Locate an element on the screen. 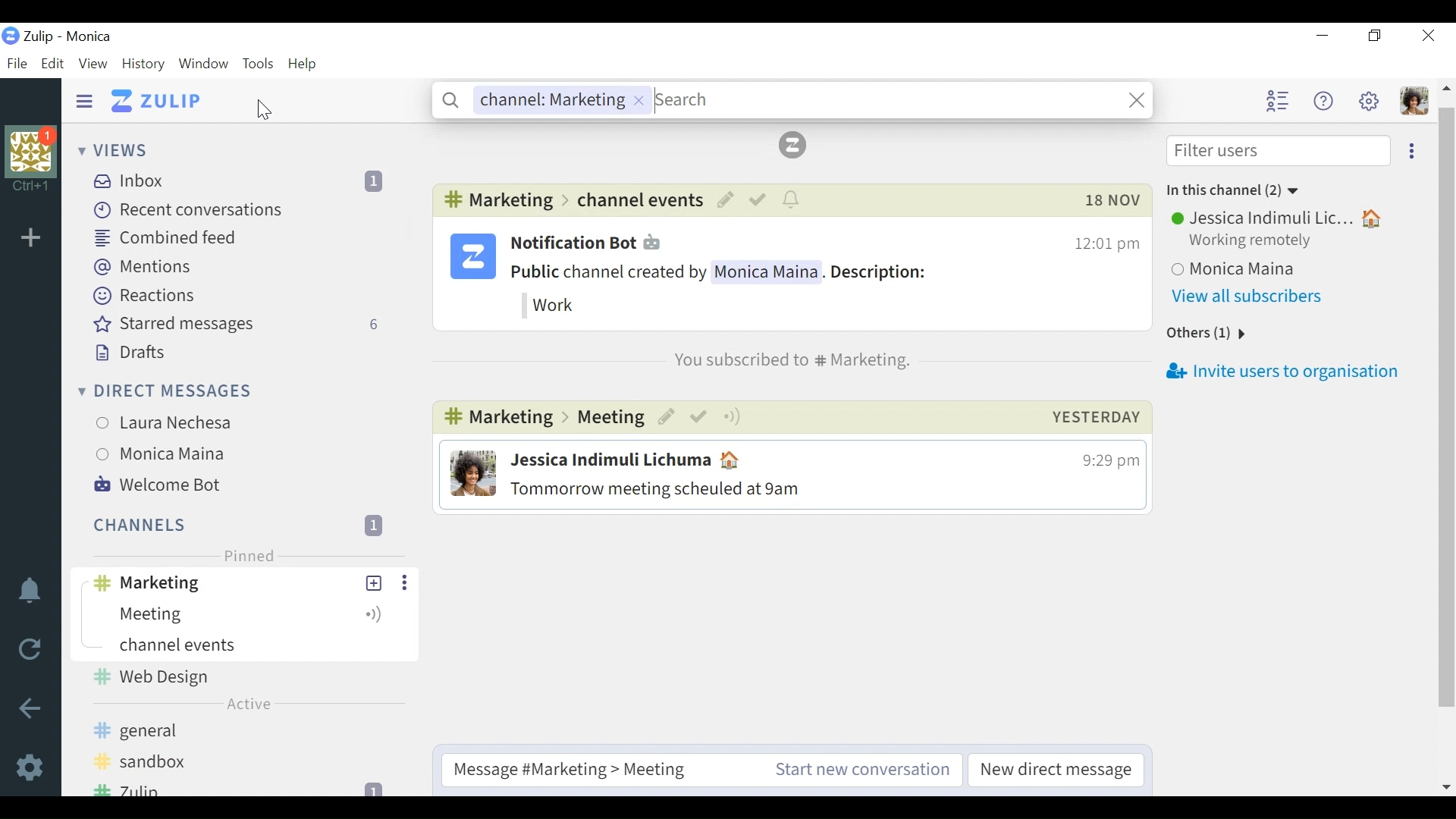 This screenshot has height=819, width=1456. users is located at coordinates (173, 453).